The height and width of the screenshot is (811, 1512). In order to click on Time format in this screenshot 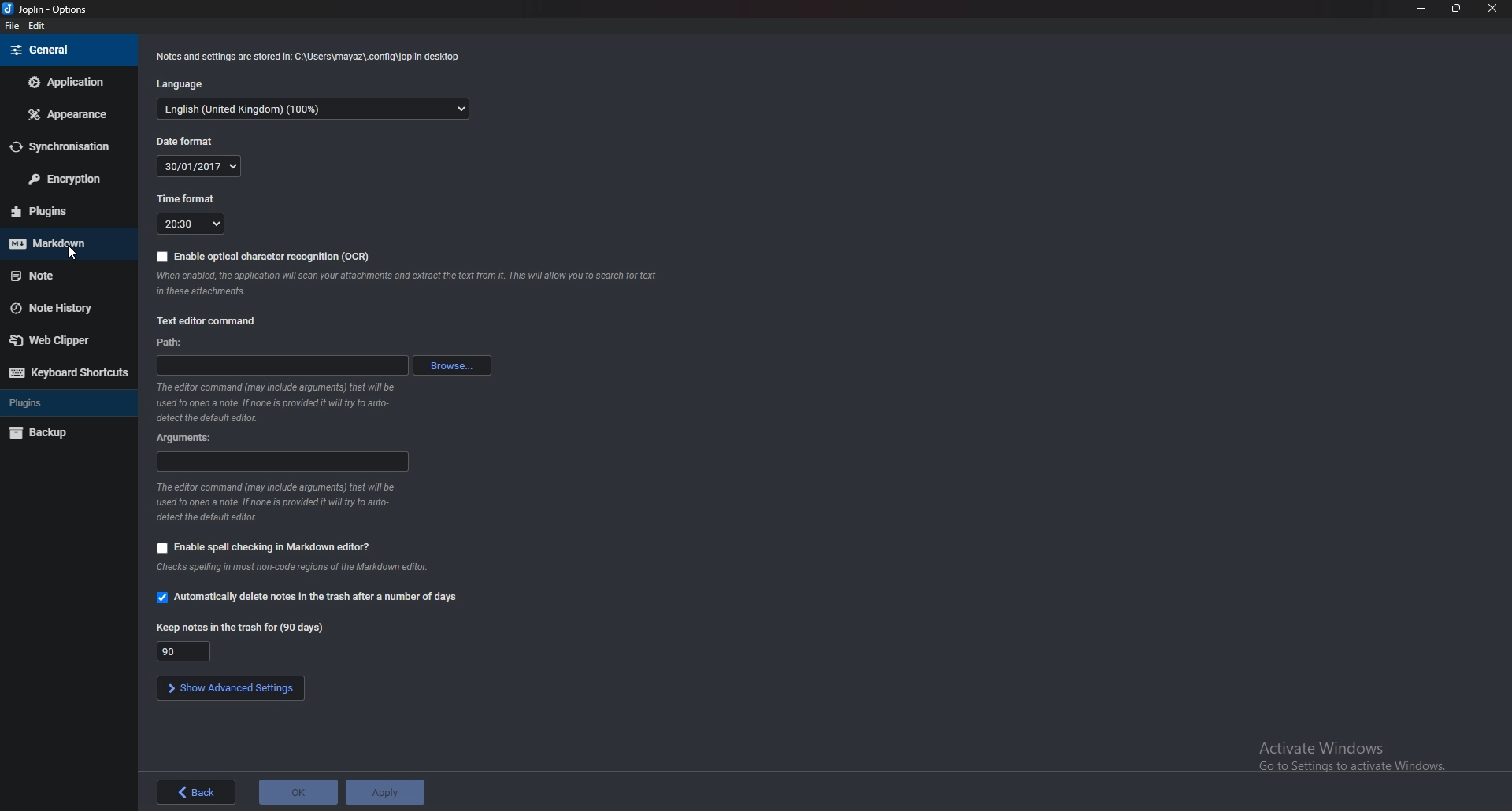, I will do `click(194, 198)`.